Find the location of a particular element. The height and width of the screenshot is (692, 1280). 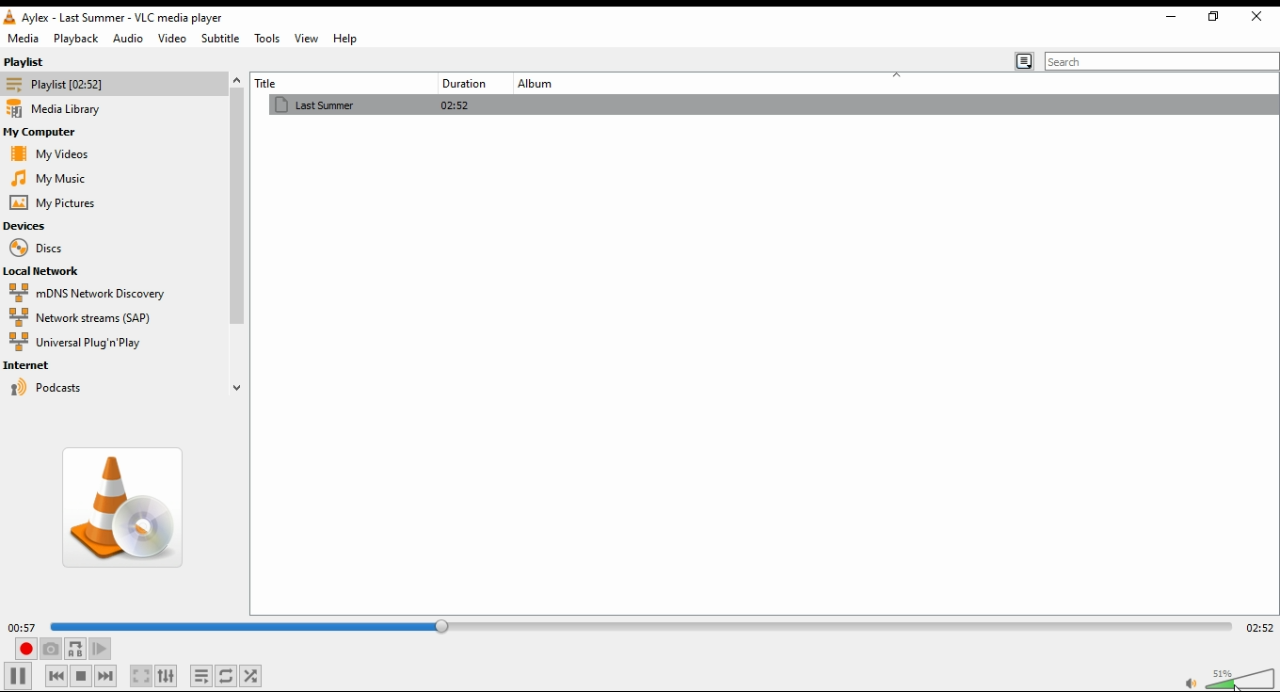

scroll bar is located at coordinates (237, 231).